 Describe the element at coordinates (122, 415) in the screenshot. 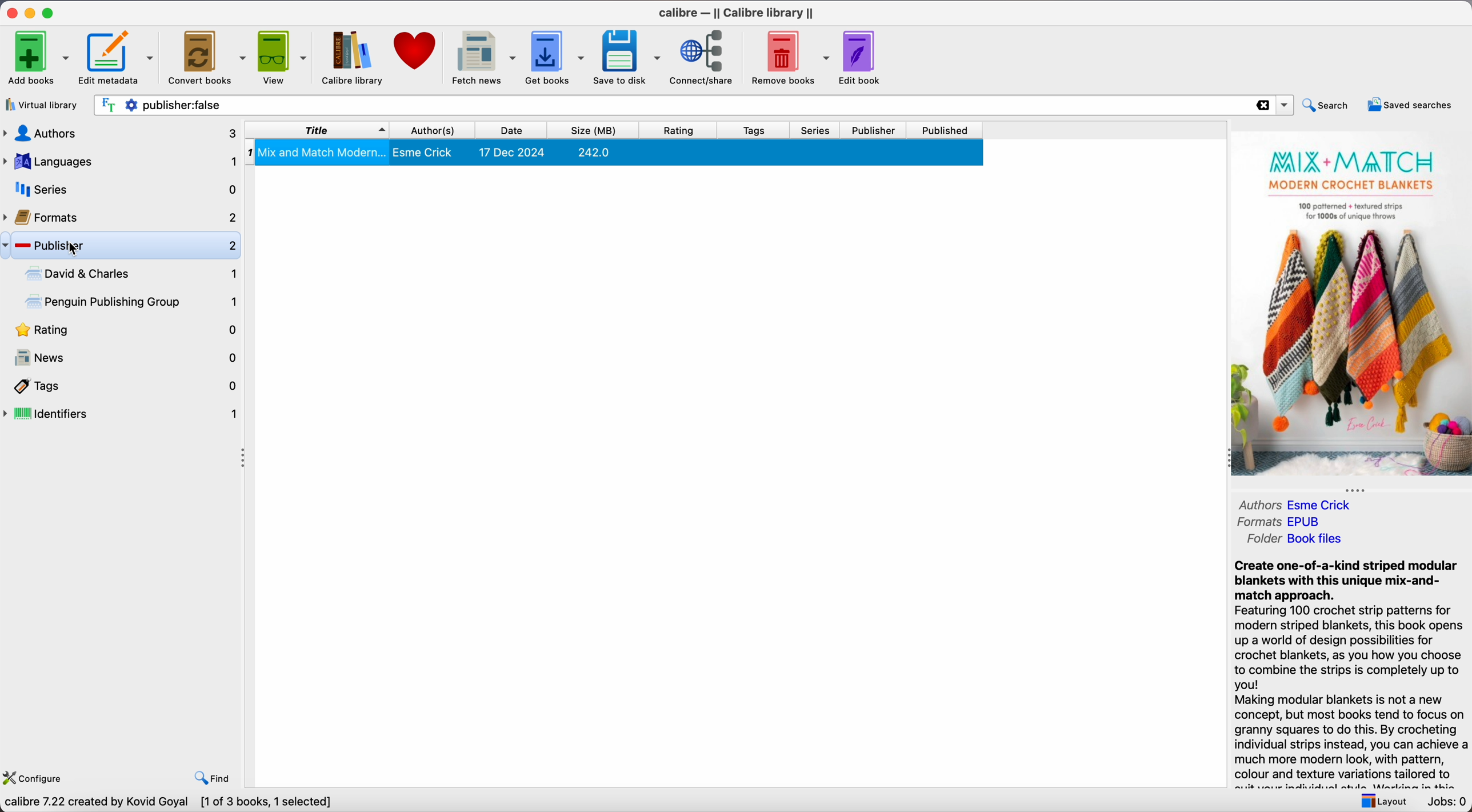

I see `identifiers` at that location.